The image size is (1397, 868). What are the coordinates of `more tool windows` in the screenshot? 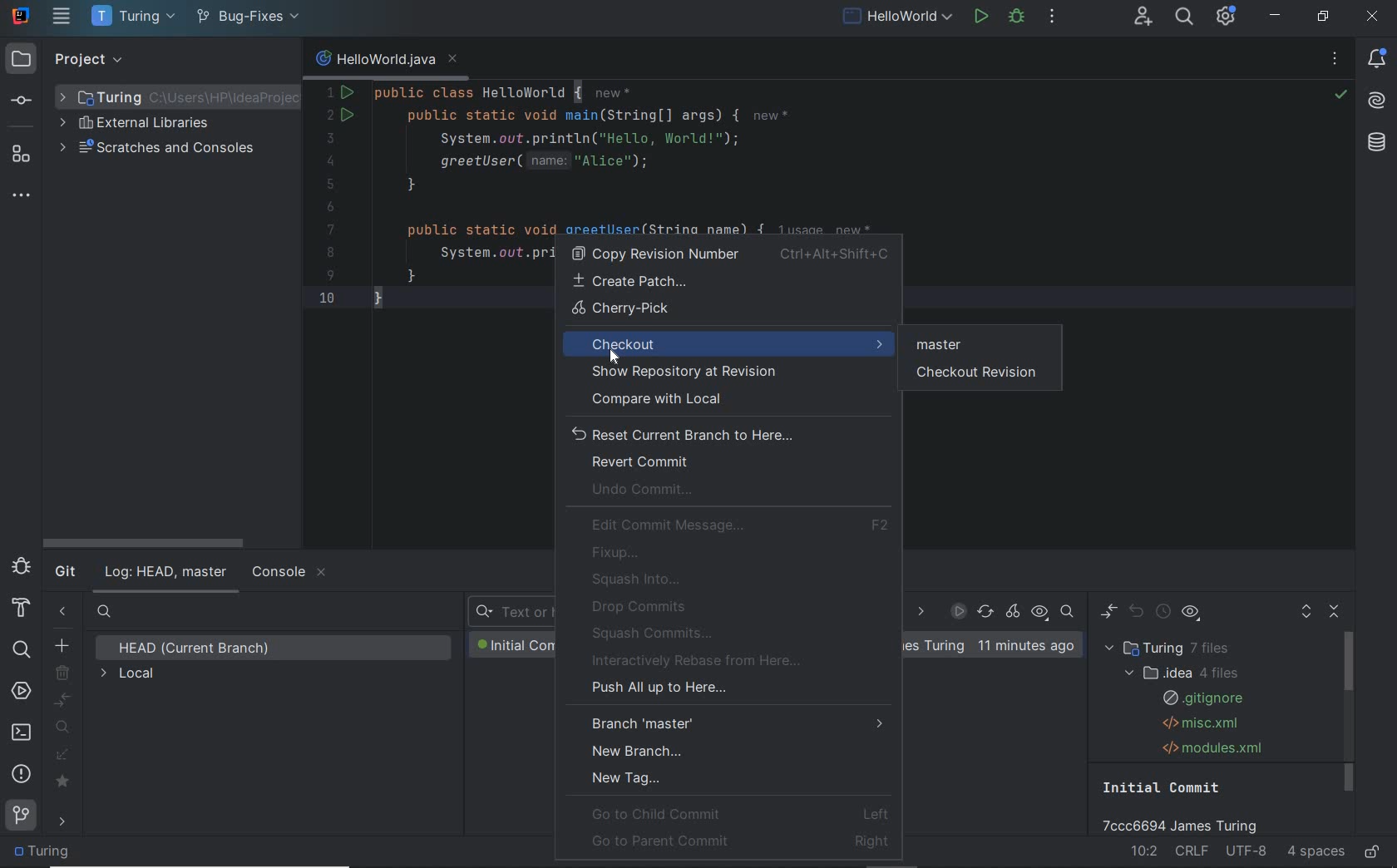 It's located at (22, 196).